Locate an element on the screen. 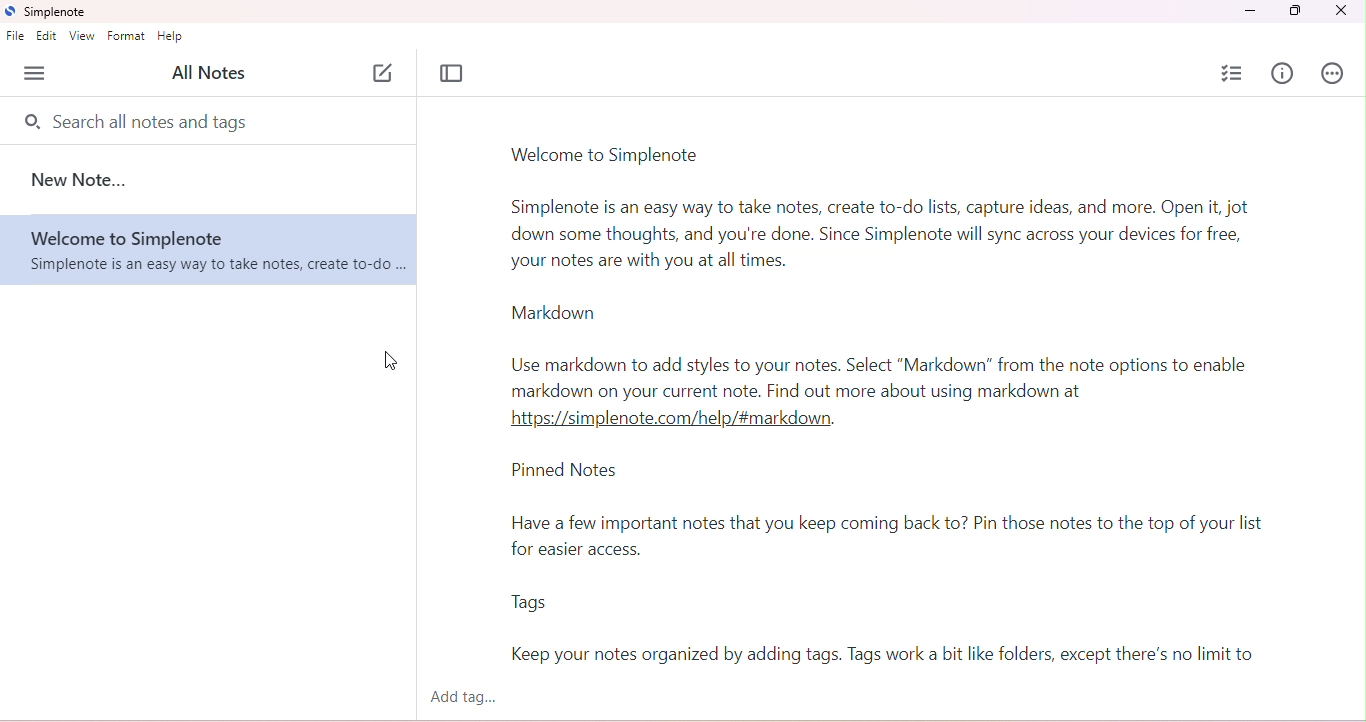 The image size is (1366, 722). file is located at coordinates (16, 38).